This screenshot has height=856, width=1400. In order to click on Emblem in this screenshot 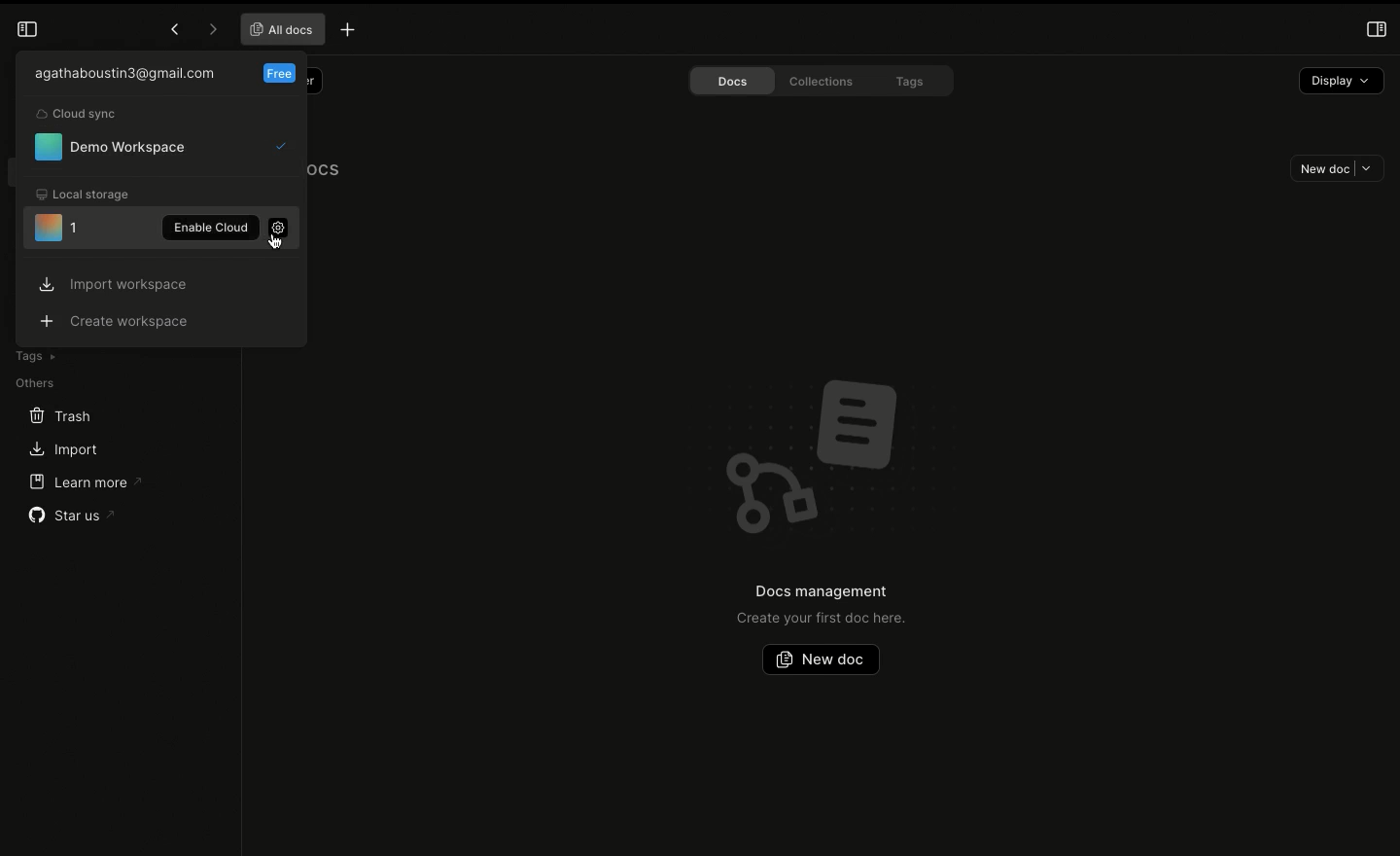, I will do `click(825, 447)`.